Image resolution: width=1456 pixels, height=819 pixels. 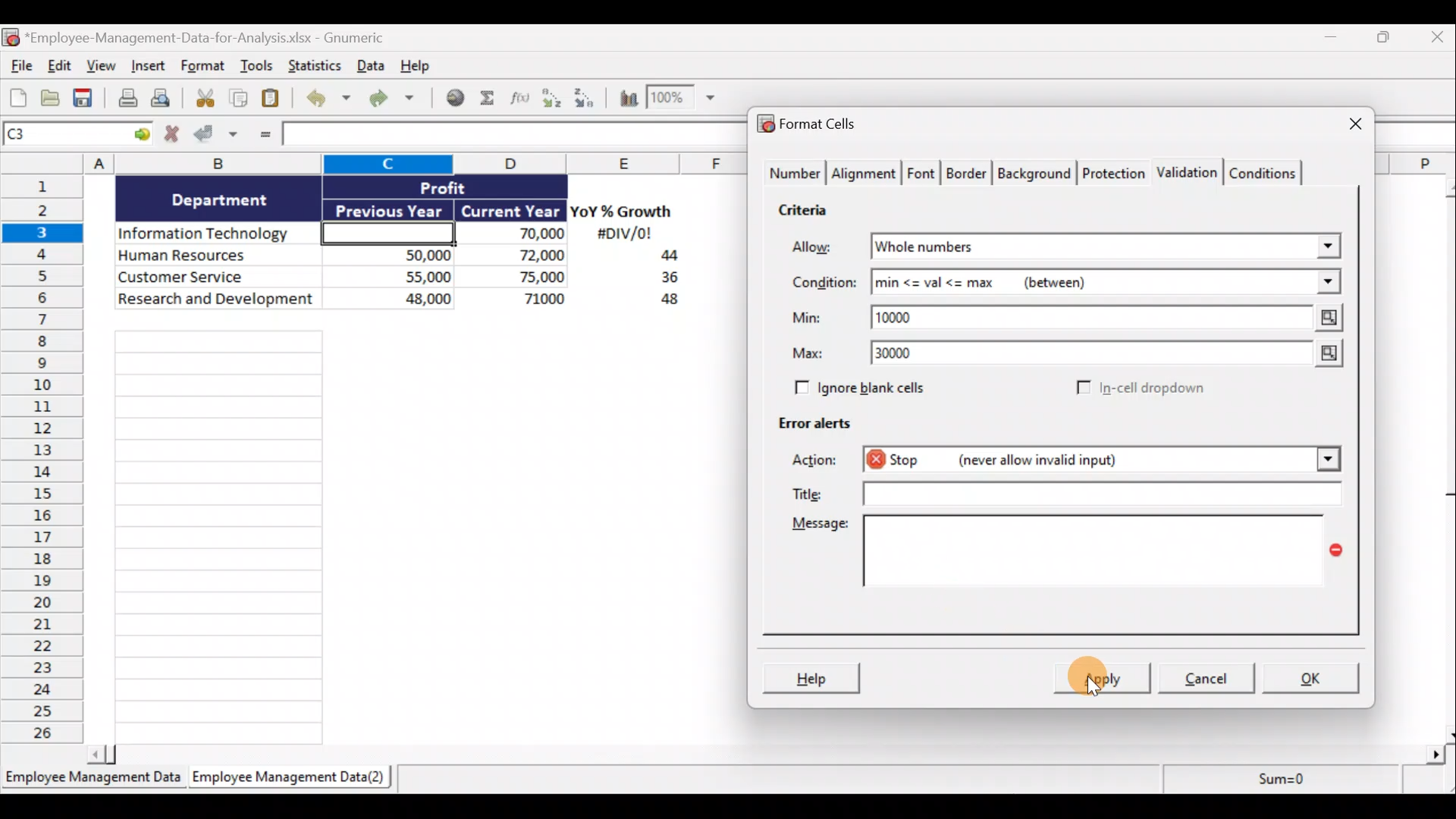 I want to click on Department, so click(x=220, y=199).